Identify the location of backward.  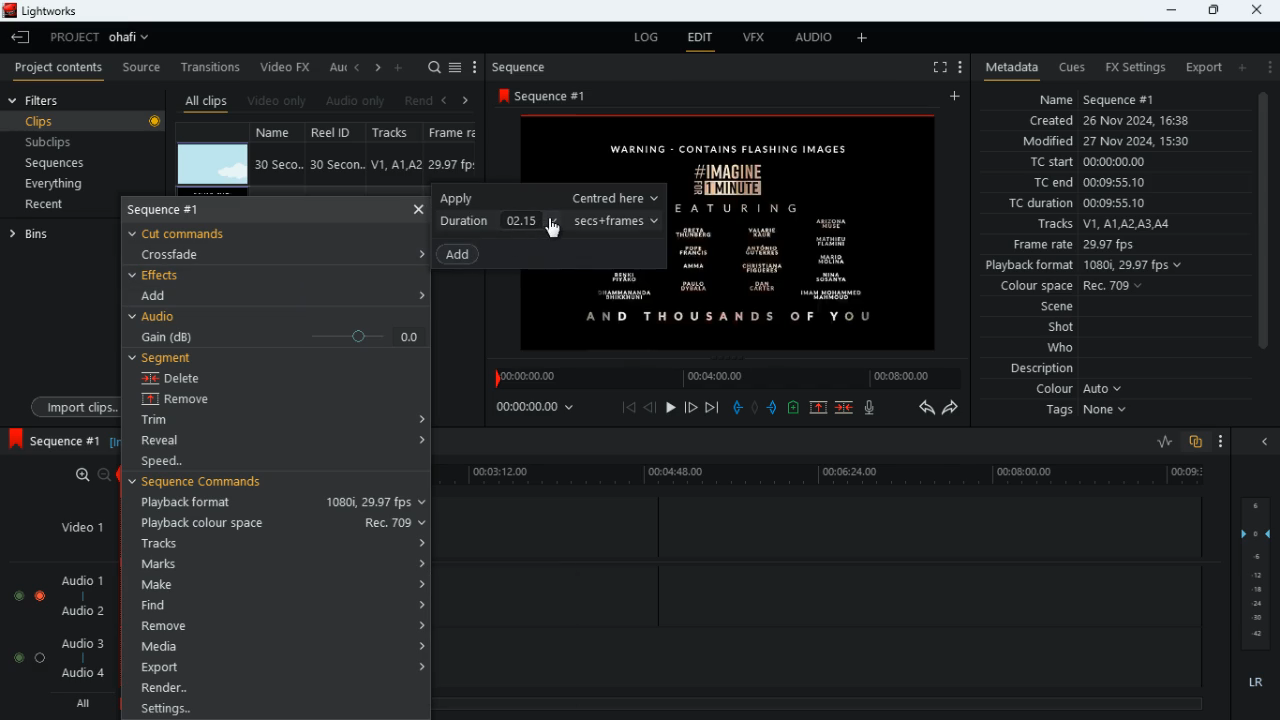
(926, 407).